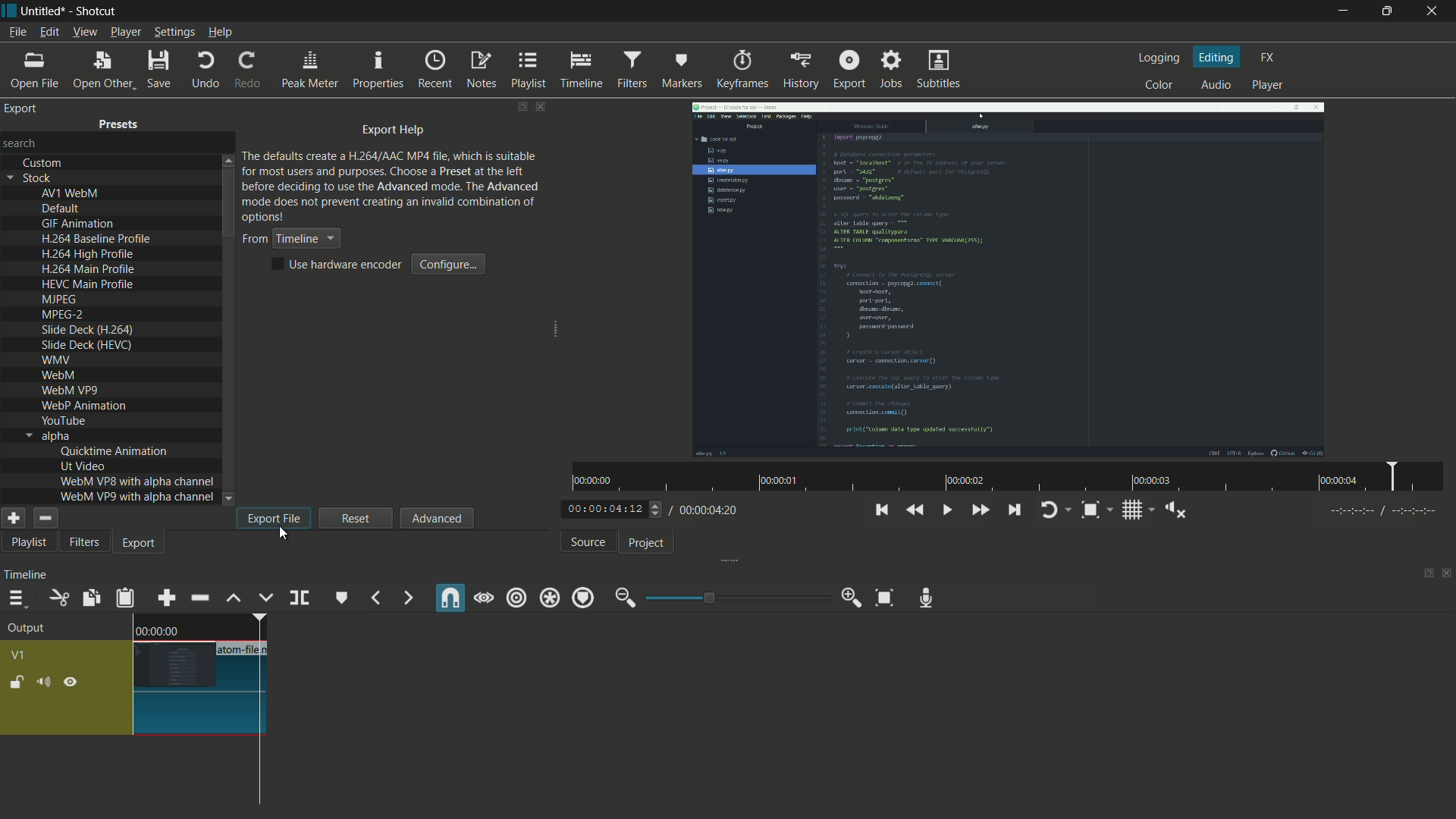 The width and height of the screenshot is (1456, 819). What do you see at coordinates (137, 481) in the screenshot?
I see `webm vp8 with alpha channel` at bounding box center [137, 481].